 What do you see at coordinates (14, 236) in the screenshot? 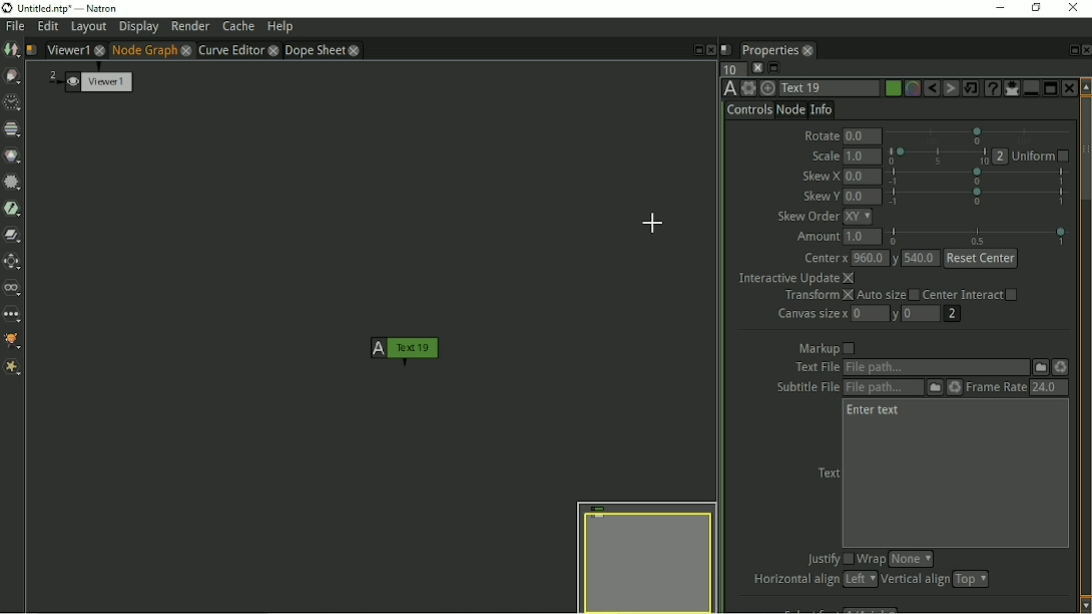
I see `Merge` at bounding box center [14, 236].